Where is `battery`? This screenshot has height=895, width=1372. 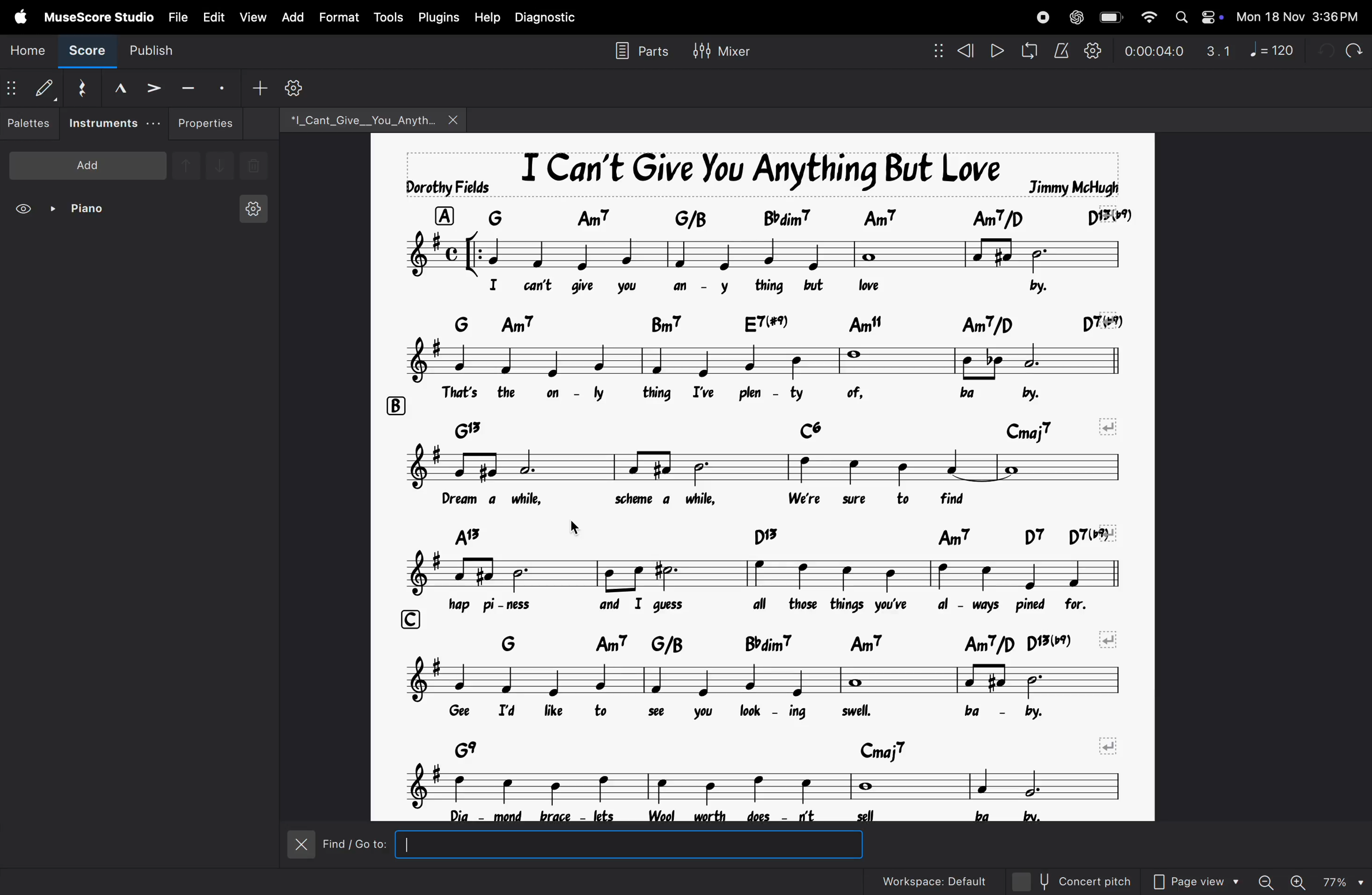
battery is located at coordinates (1109, 17).